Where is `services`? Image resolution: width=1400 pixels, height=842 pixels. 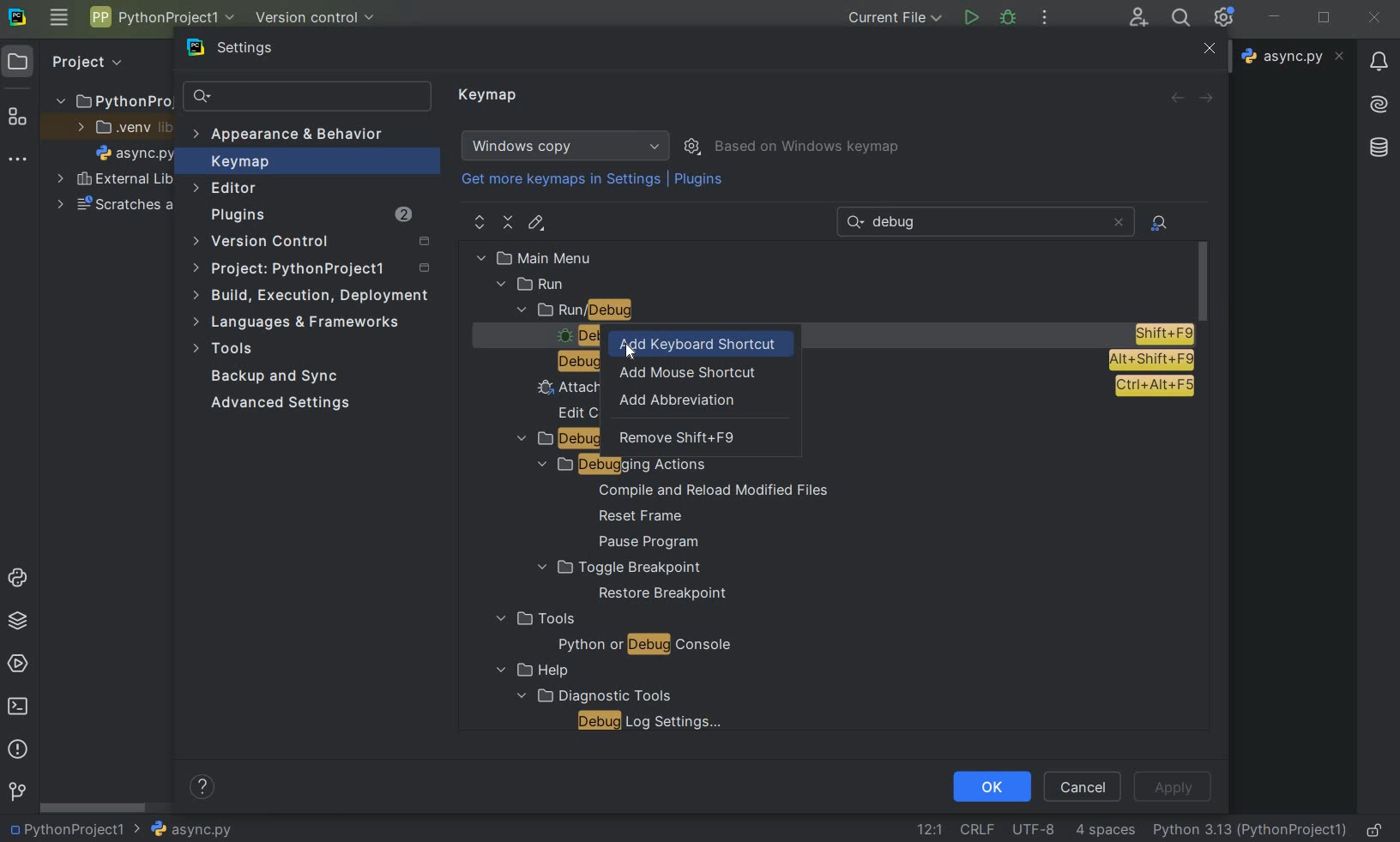 services is located at coordinates (20, 663).